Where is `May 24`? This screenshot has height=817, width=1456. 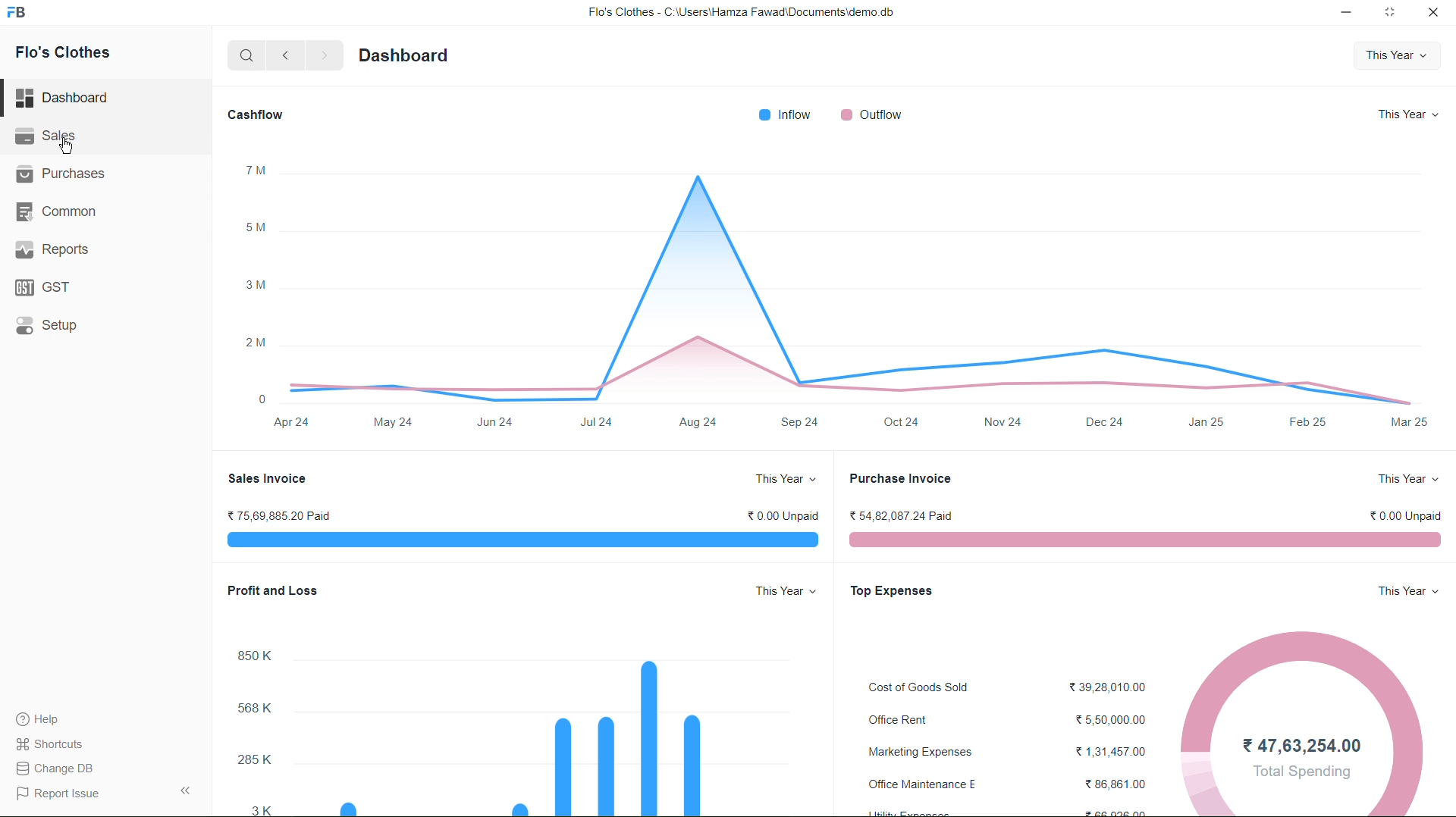
May 24 is located at coordinates (394, 420).